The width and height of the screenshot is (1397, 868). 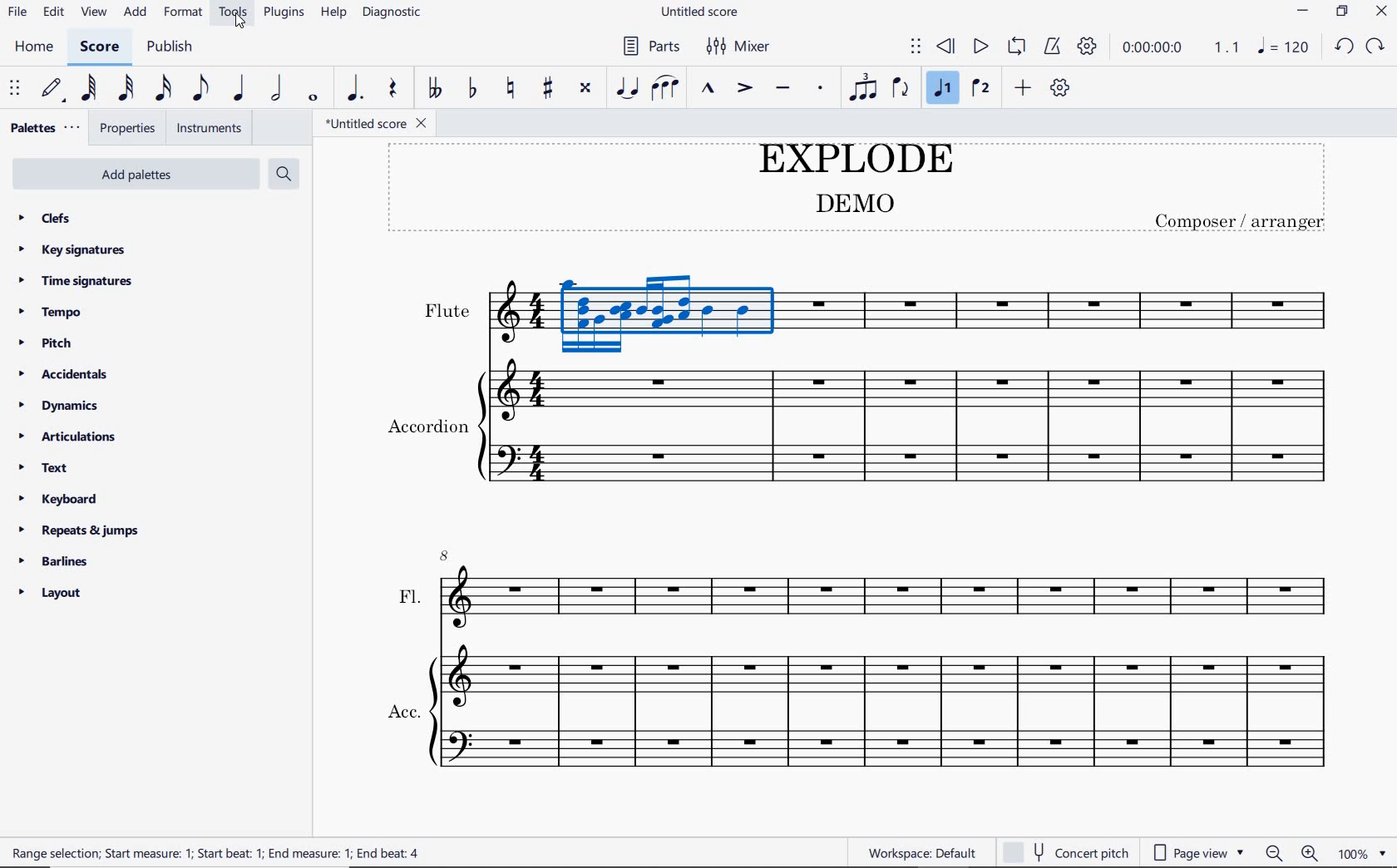 I want to click on add, so click(x=1023, y=90).